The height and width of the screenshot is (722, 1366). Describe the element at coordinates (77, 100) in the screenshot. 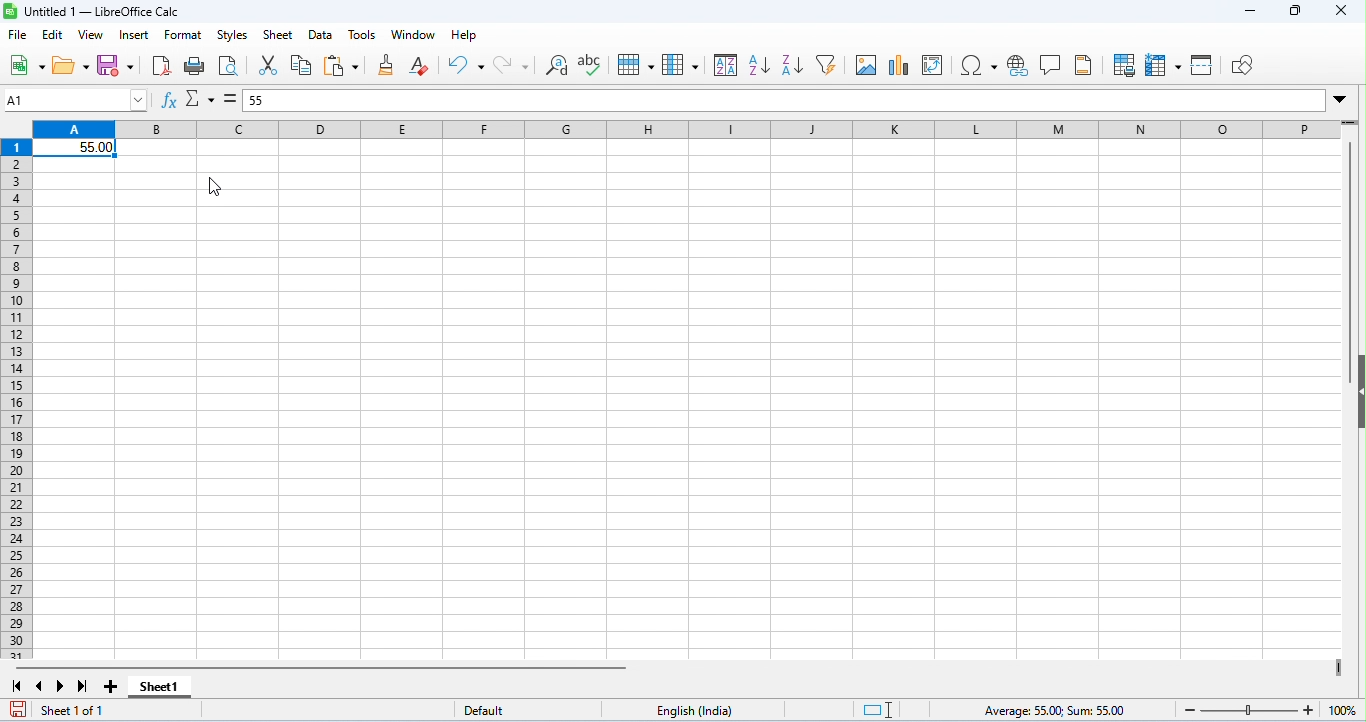

I see `cell number` at that location.